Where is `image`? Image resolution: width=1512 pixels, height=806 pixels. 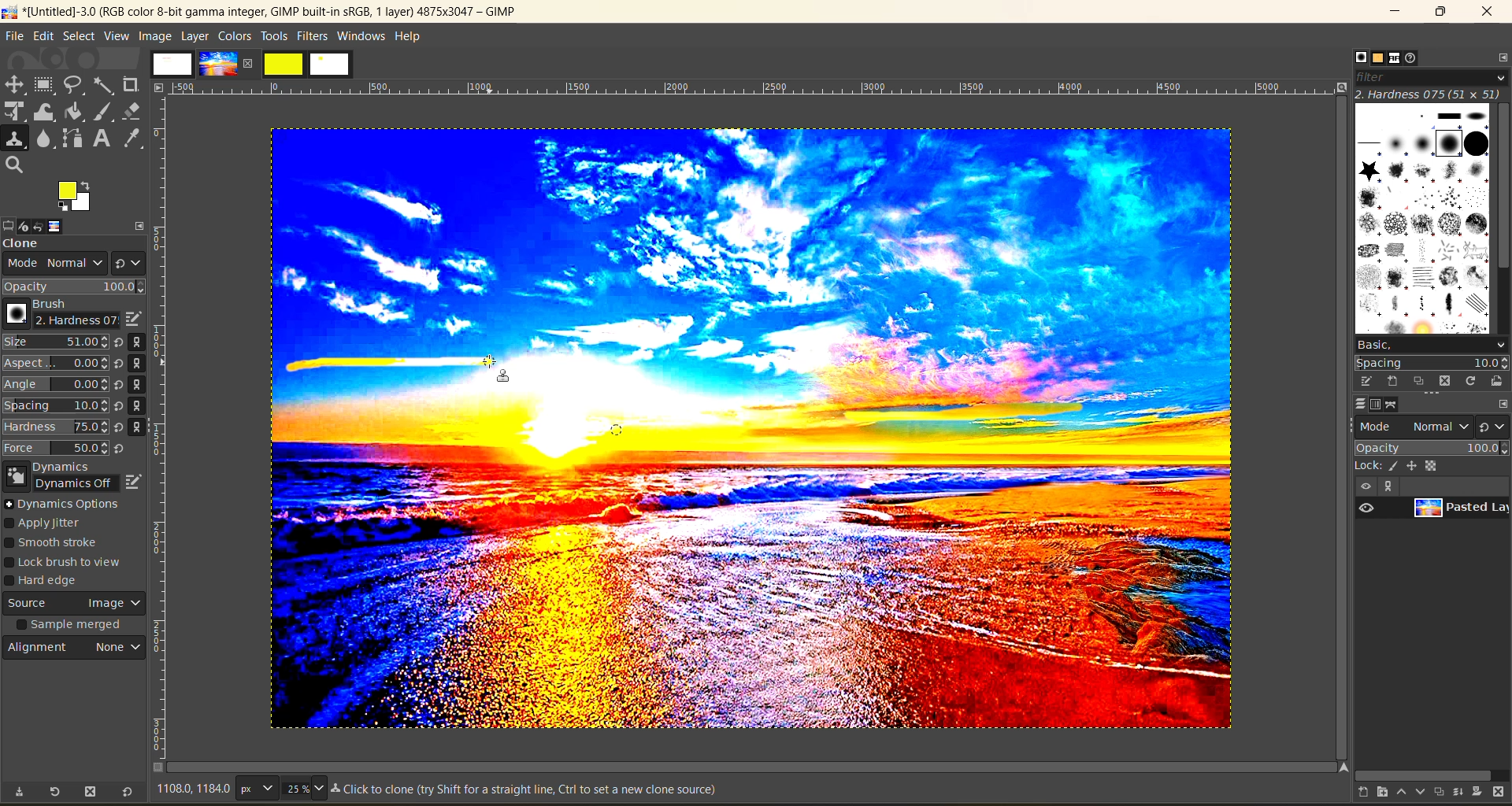
image is located at coordinates (904, 429).